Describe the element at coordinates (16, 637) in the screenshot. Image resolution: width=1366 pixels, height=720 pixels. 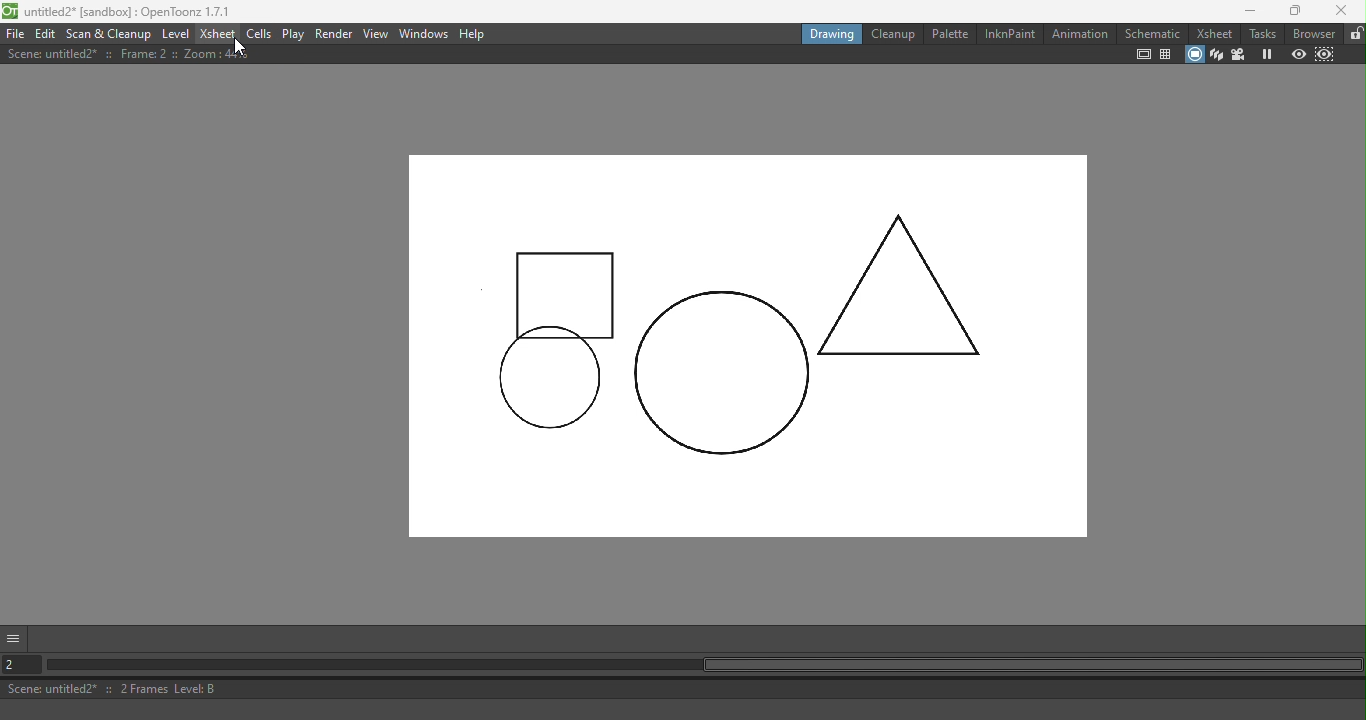
I see `More options` at that location.